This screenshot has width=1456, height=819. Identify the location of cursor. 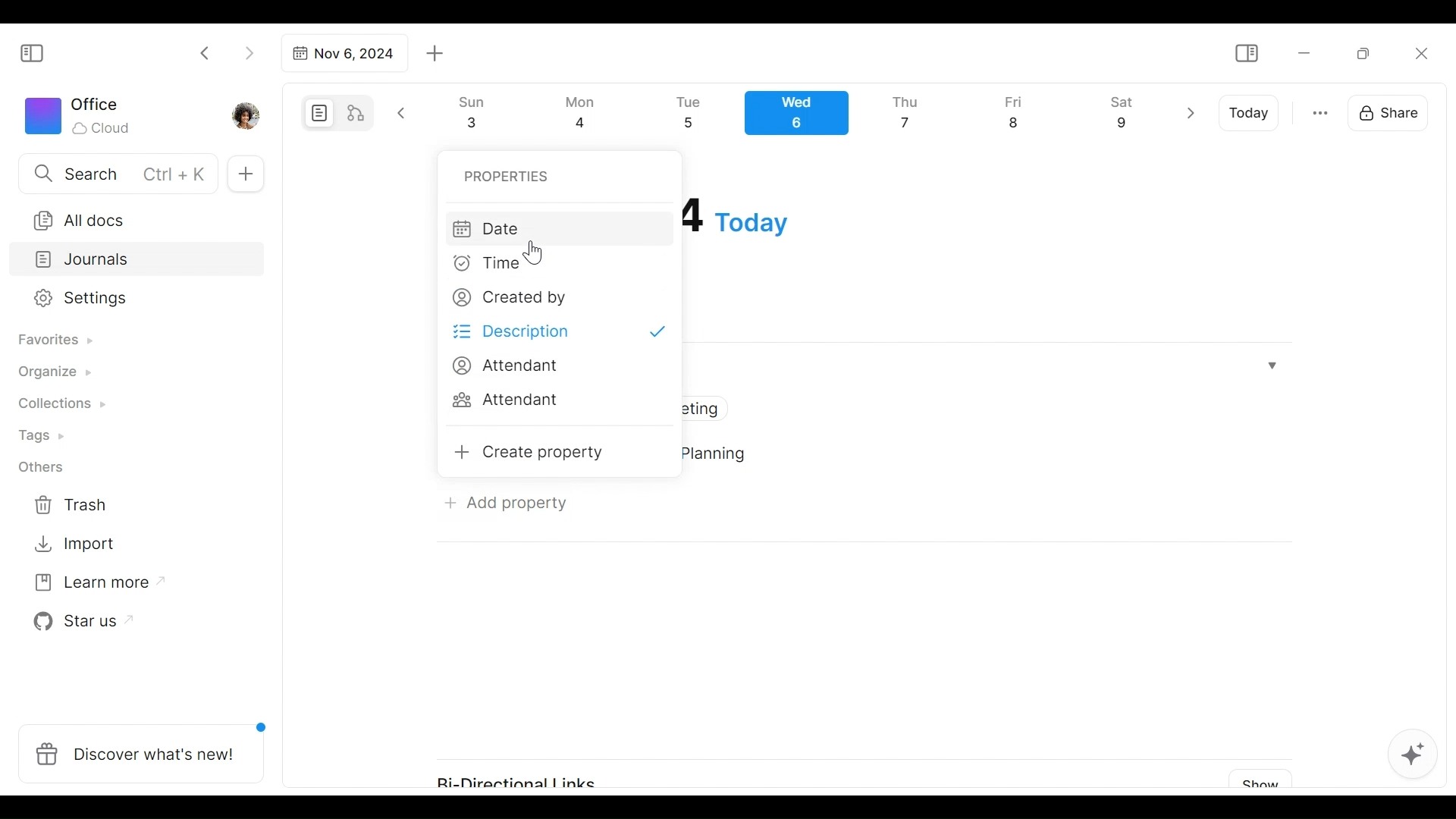
(535, 251).